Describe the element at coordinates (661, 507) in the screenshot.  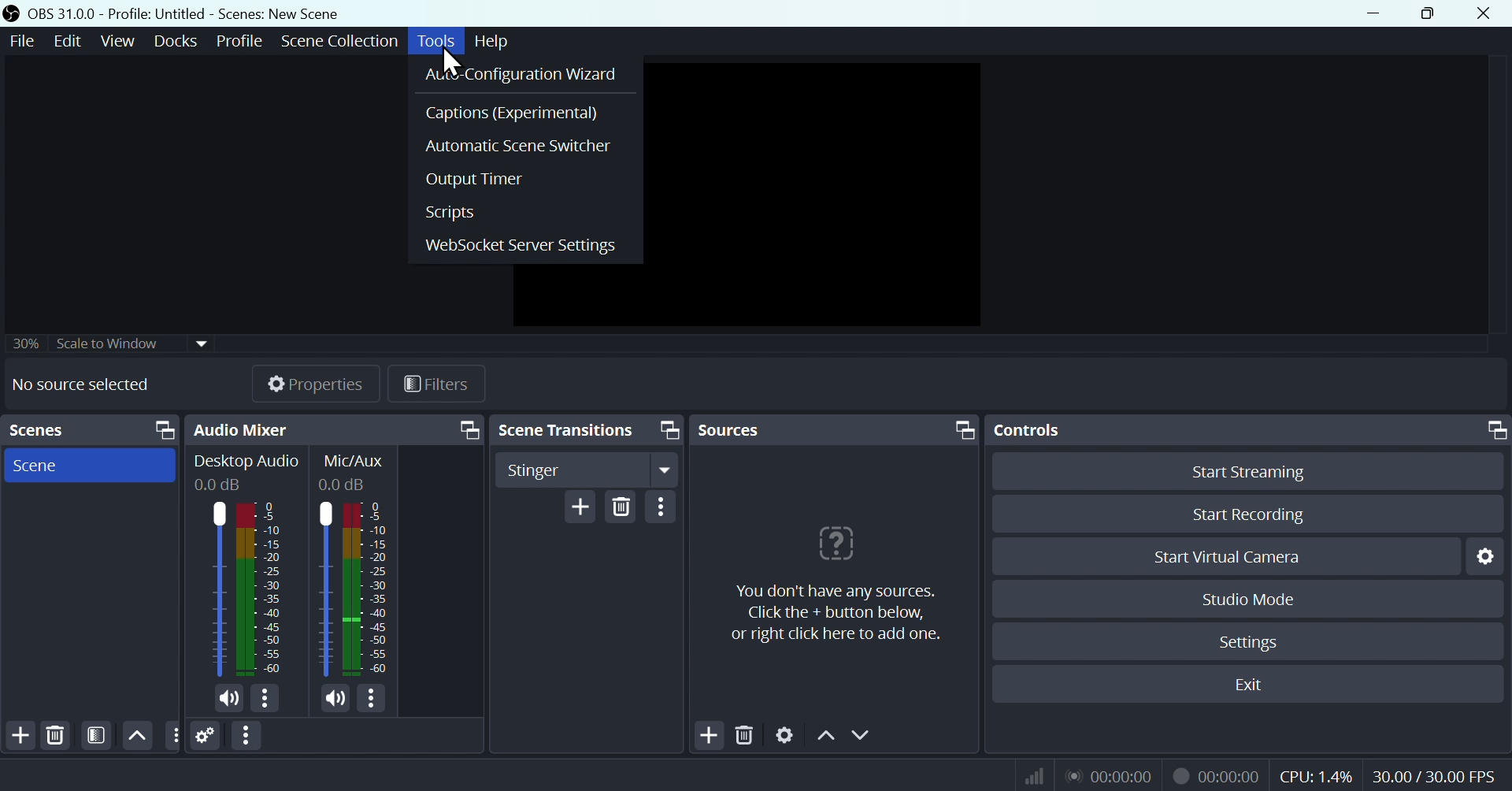
I see `Option` at that location.